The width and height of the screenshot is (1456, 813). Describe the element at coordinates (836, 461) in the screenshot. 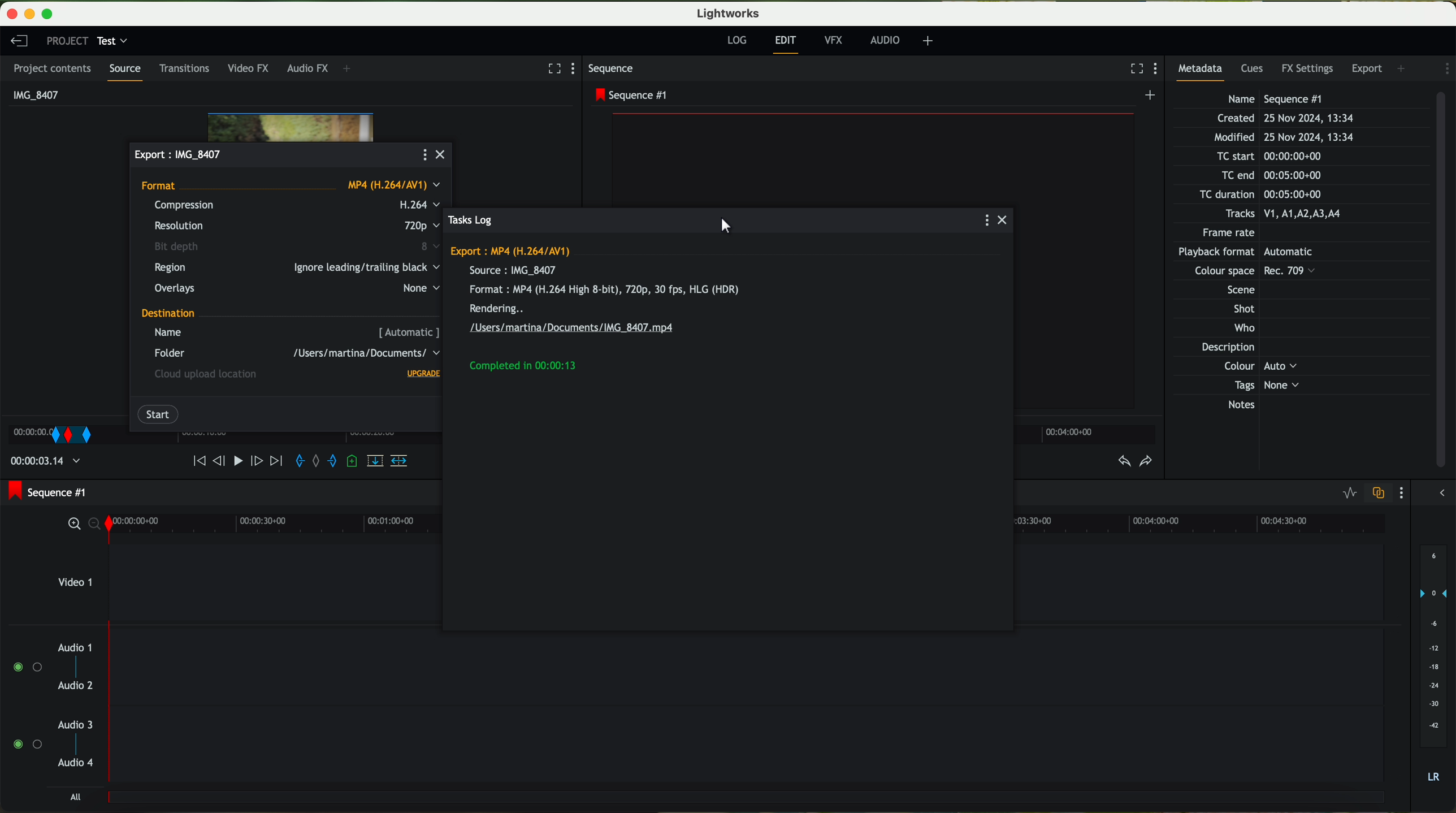

I see `nudge one frame foward` at that location.